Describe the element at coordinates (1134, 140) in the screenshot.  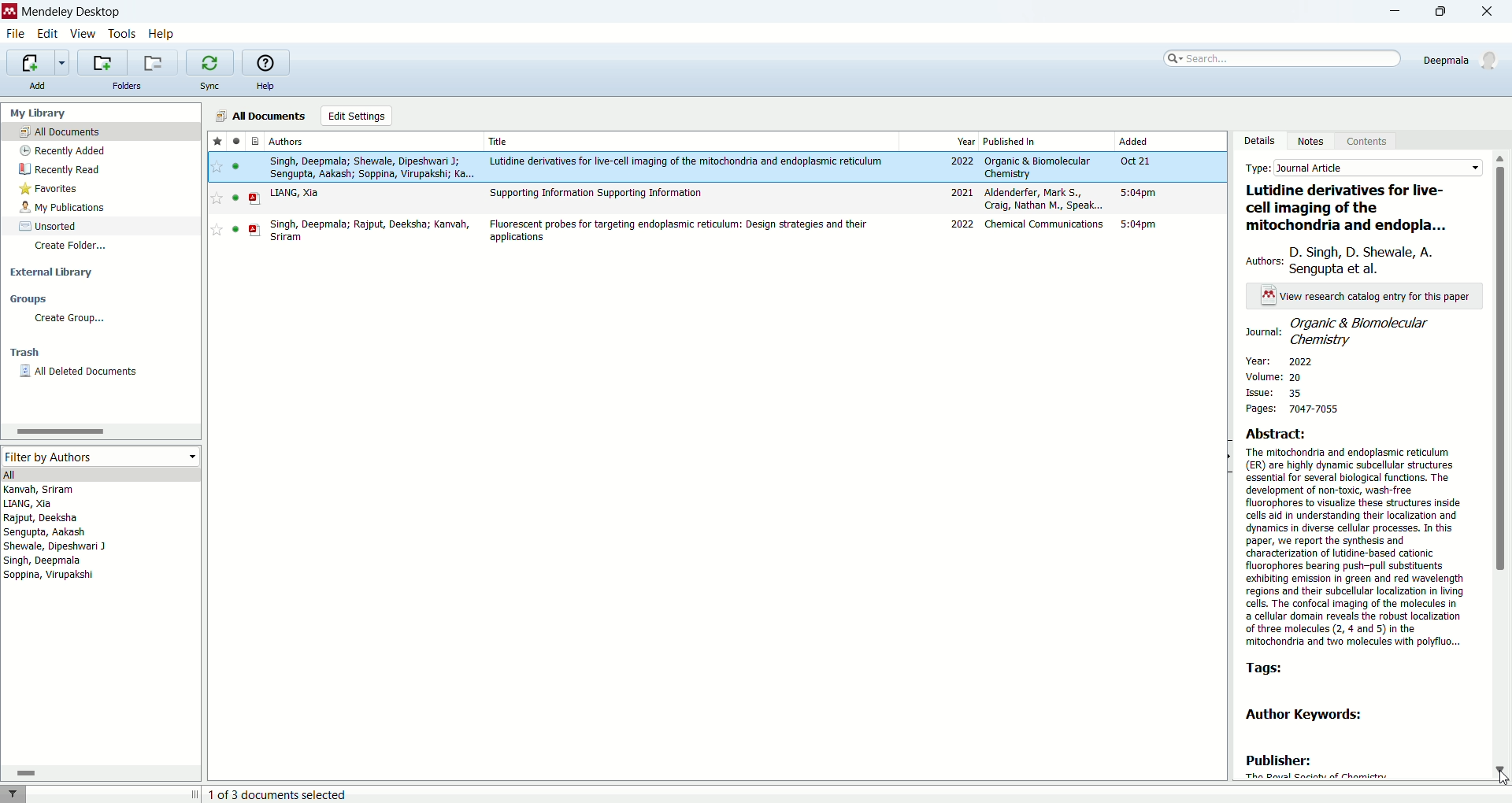
I see `added` at that location.